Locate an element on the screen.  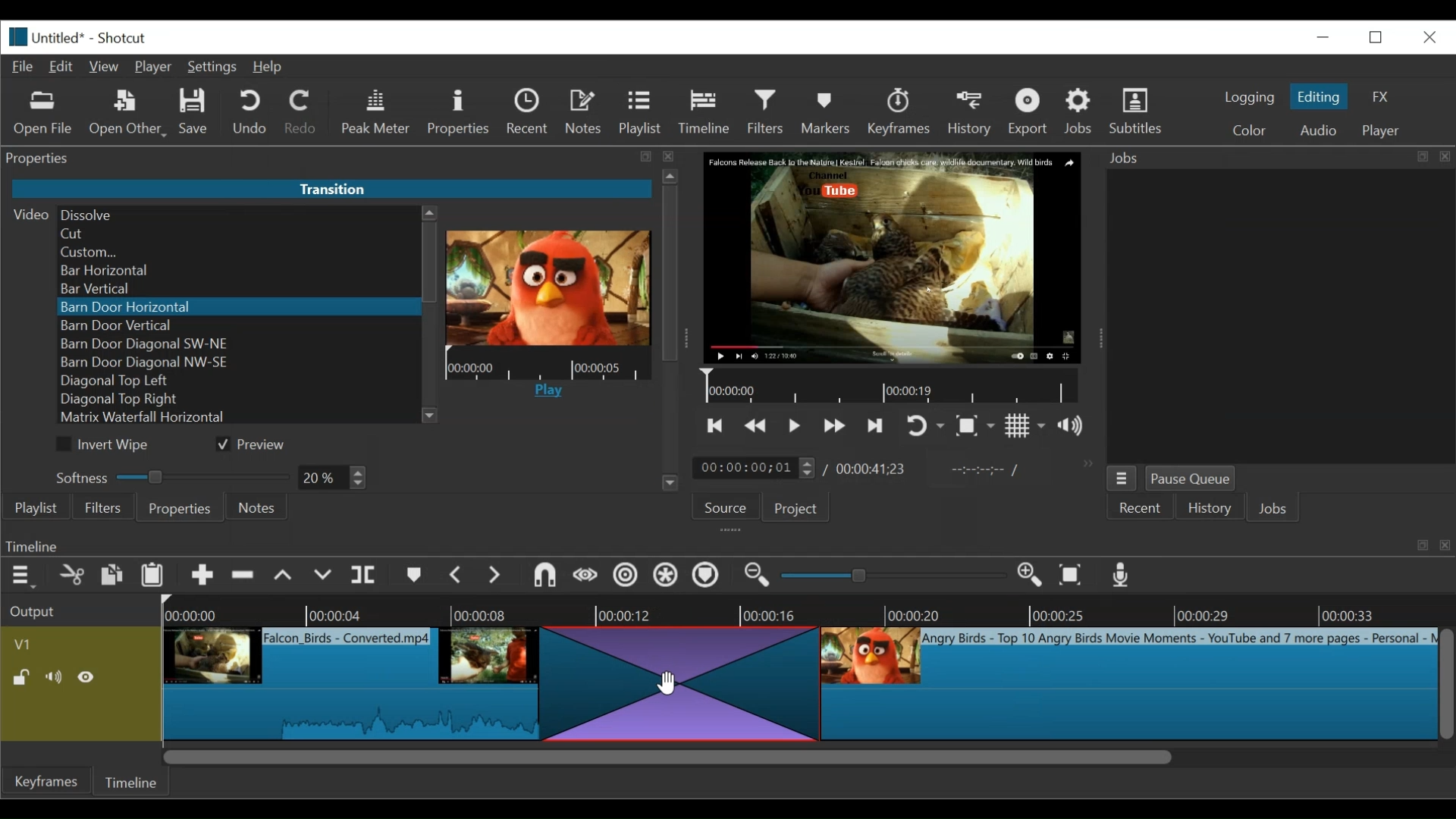
Jobs is located at coordinates (1081, 111).